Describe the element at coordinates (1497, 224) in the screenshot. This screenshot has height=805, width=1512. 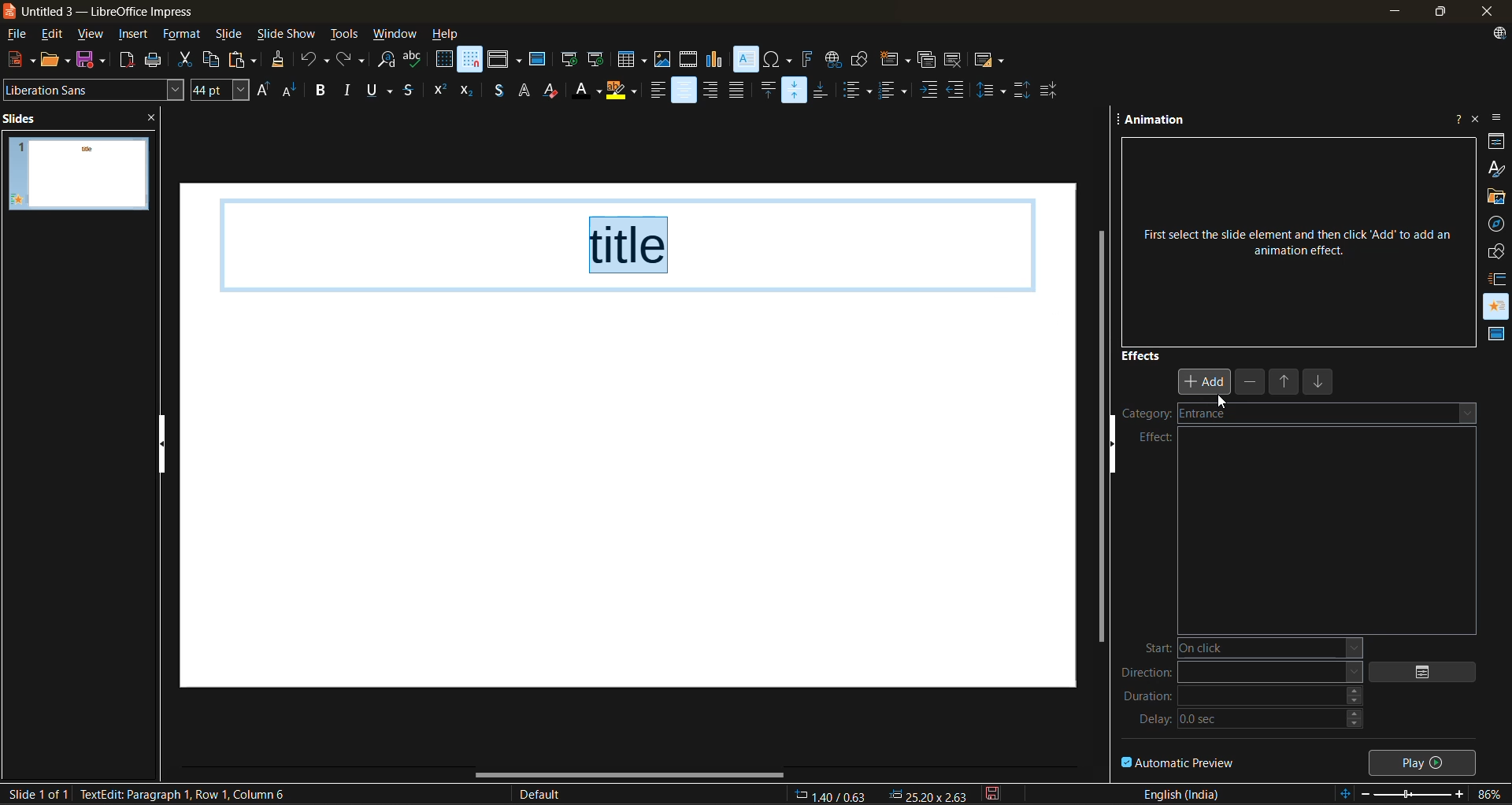
I see `navigator` at that location.